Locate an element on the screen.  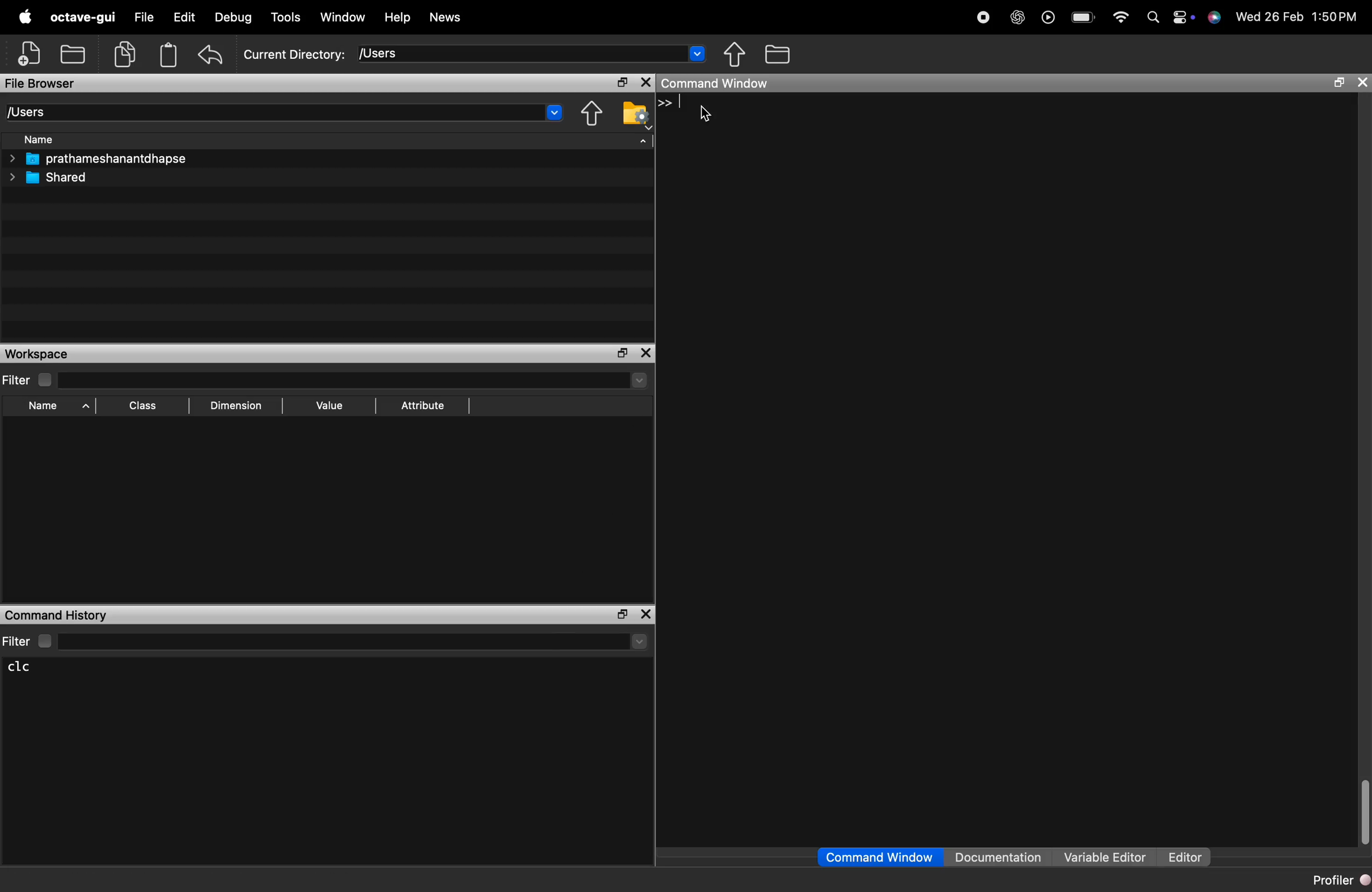
Current Directory: is located at coordinates (295, 55).